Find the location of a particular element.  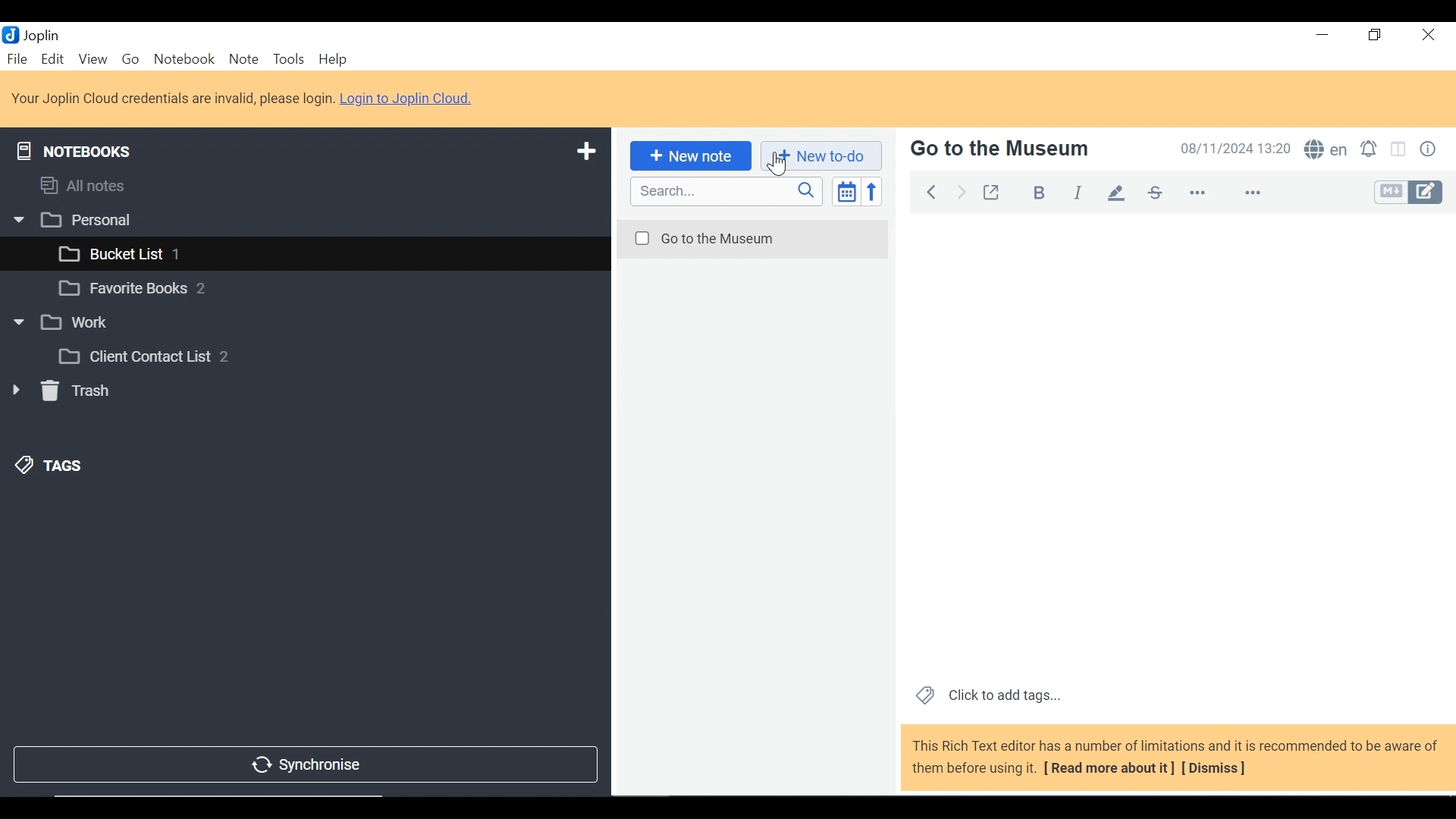

Note Name is located at coordinates (1014, 149).